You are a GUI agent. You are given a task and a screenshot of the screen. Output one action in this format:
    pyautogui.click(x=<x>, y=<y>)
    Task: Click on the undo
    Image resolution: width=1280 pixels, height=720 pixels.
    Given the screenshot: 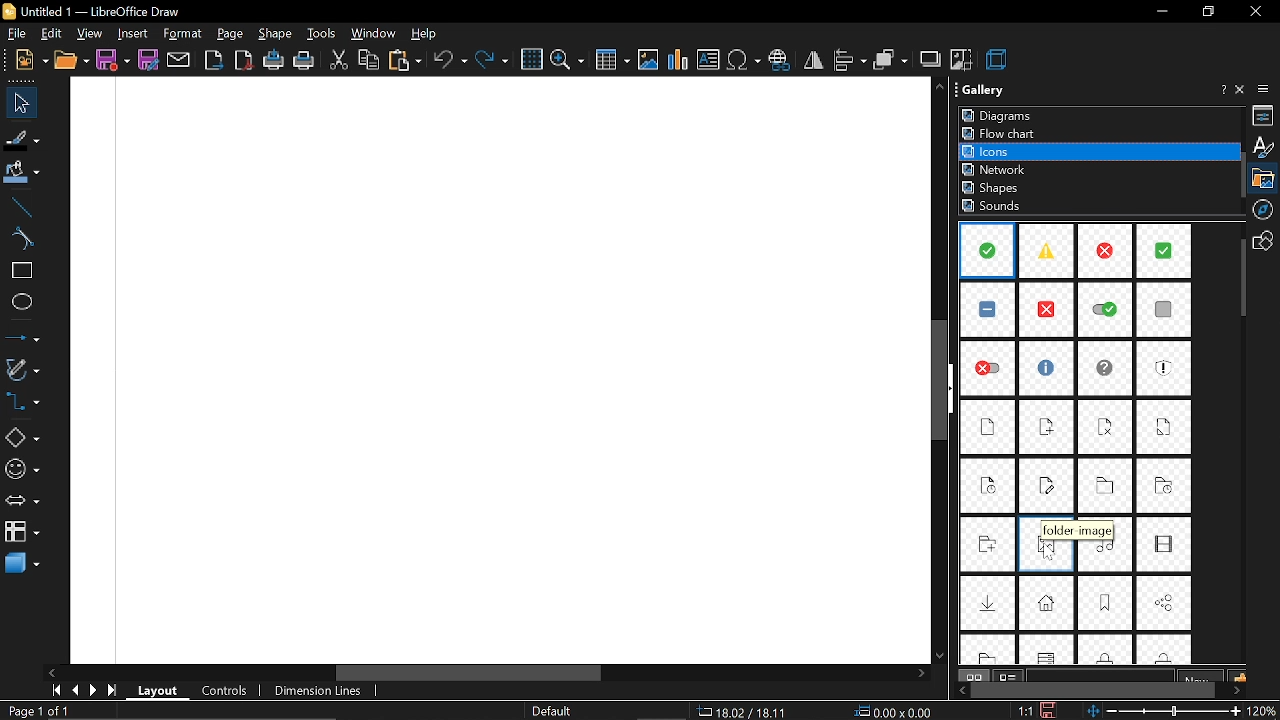 What is the action you would take?
    pyautogui.click(x=449, y=61)
    